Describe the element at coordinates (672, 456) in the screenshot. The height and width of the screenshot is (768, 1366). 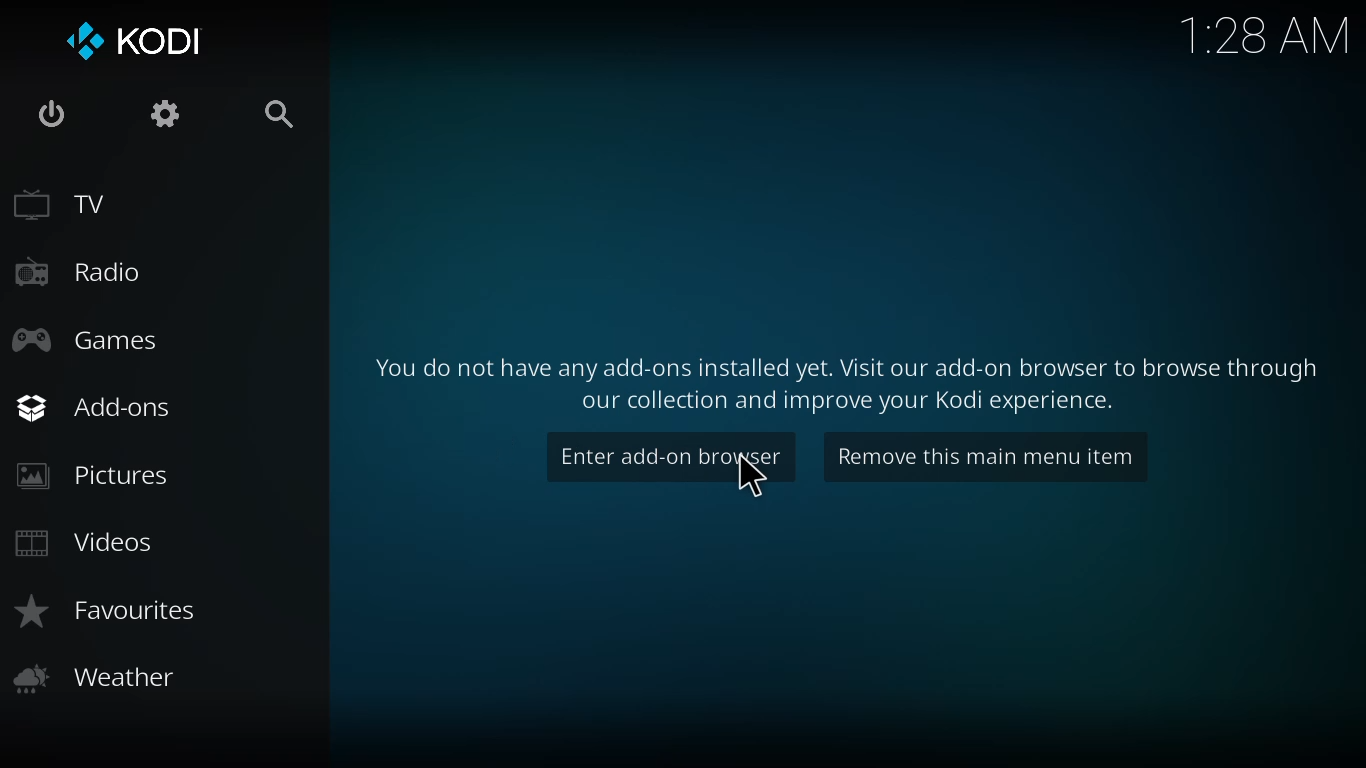
I see `enter add on browser` at that location.